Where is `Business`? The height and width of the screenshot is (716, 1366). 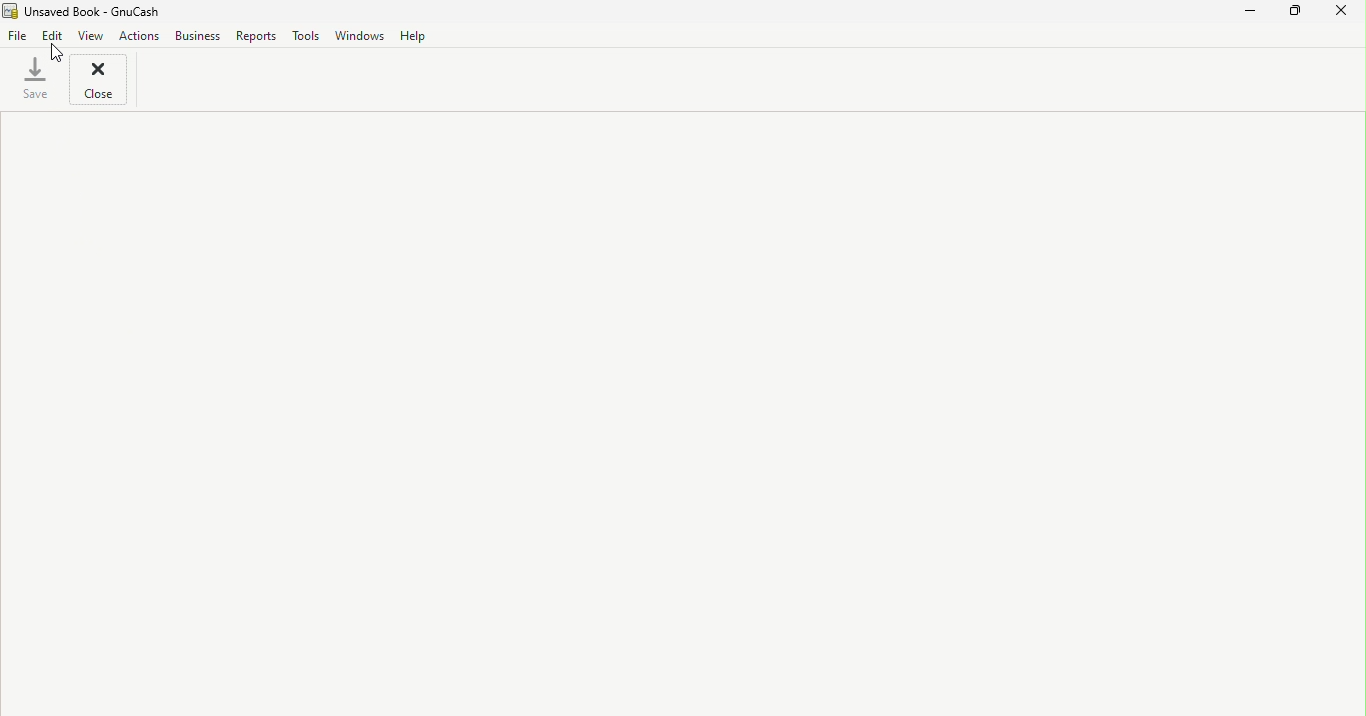
Business is located at coordinates (195, 36).